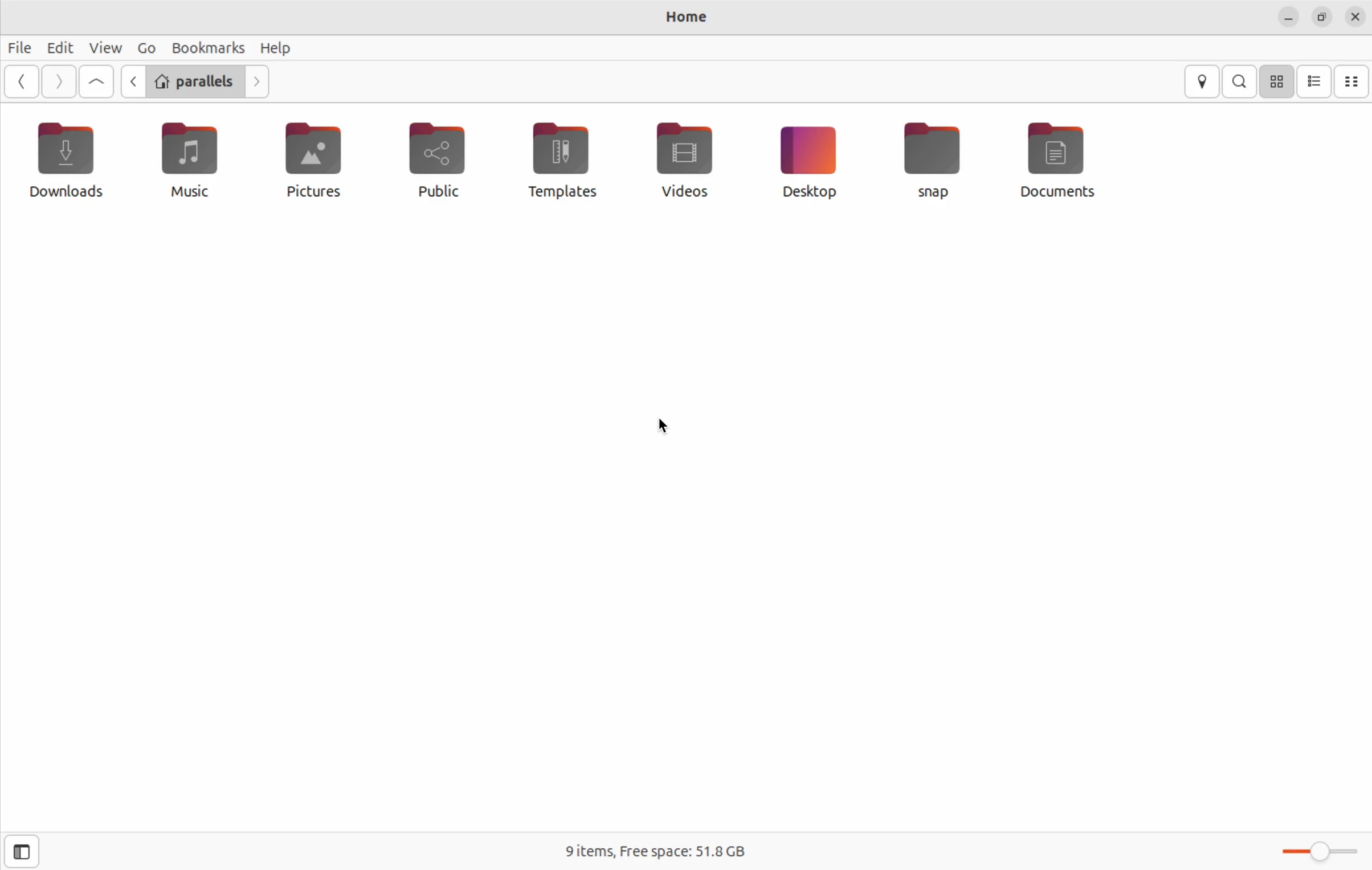 This screenshot has width=1372, height=870. Describe the element at coordinates (809, 161) in the screenshot. I see `desktop` at that location.